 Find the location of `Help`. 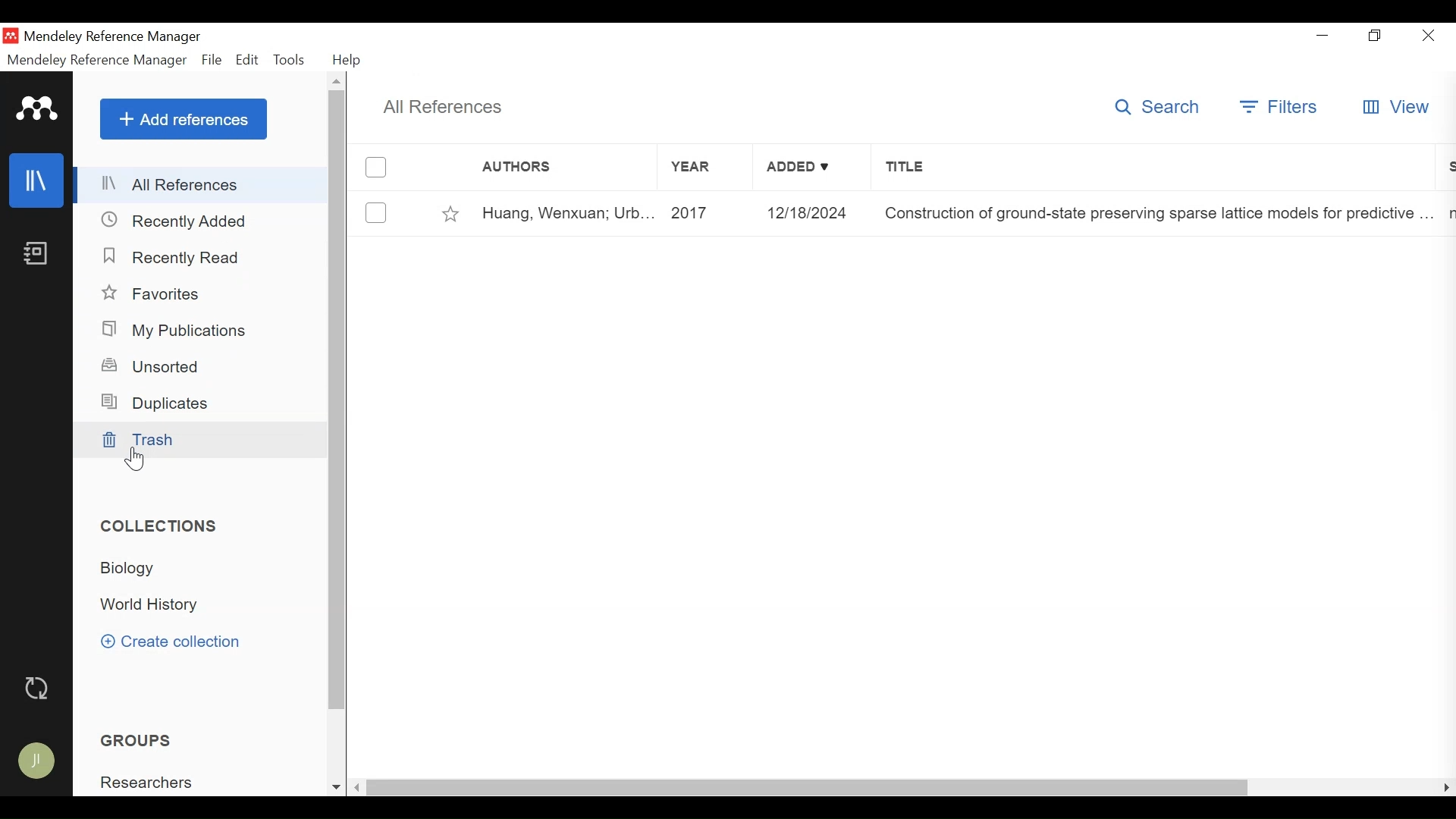

Help is located at coordinates (345, 59).